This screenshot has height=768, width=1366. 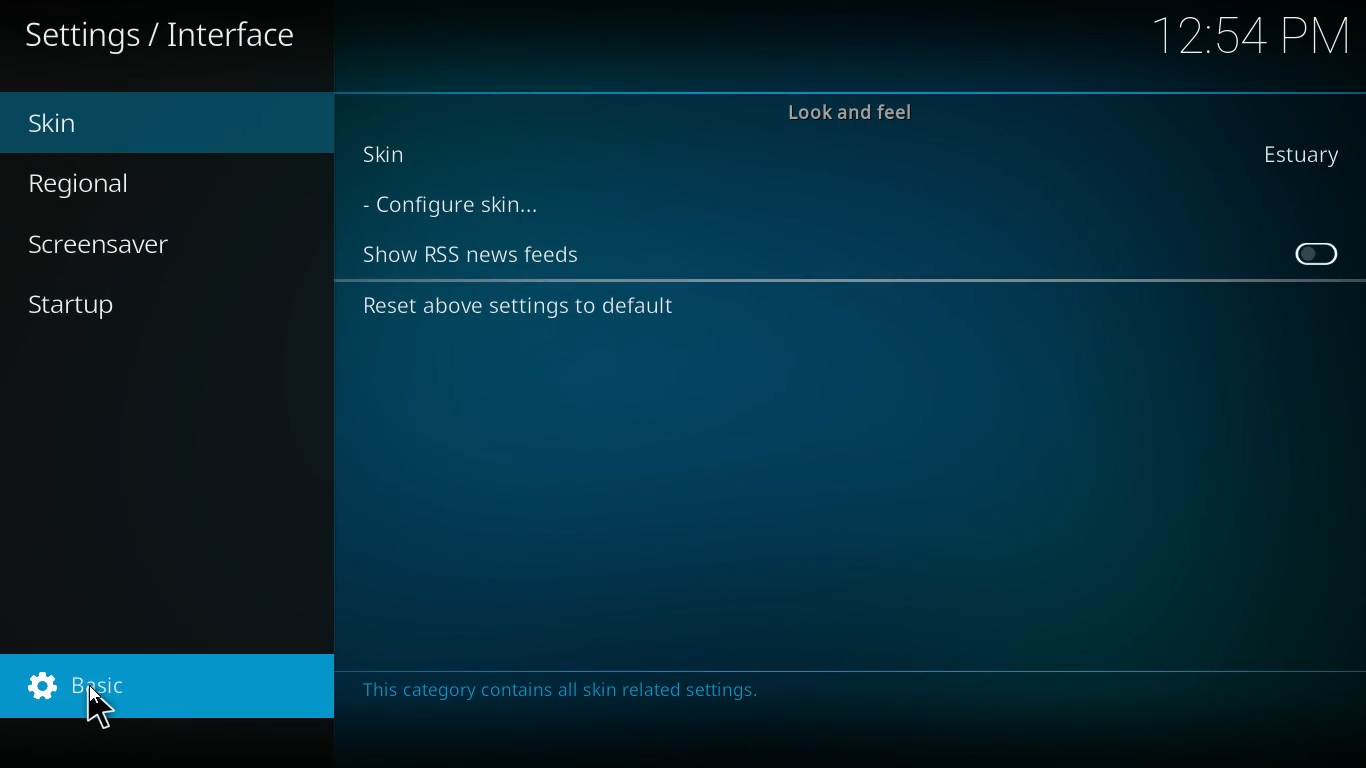 I want to click on settings, so click(x=166, y=37).